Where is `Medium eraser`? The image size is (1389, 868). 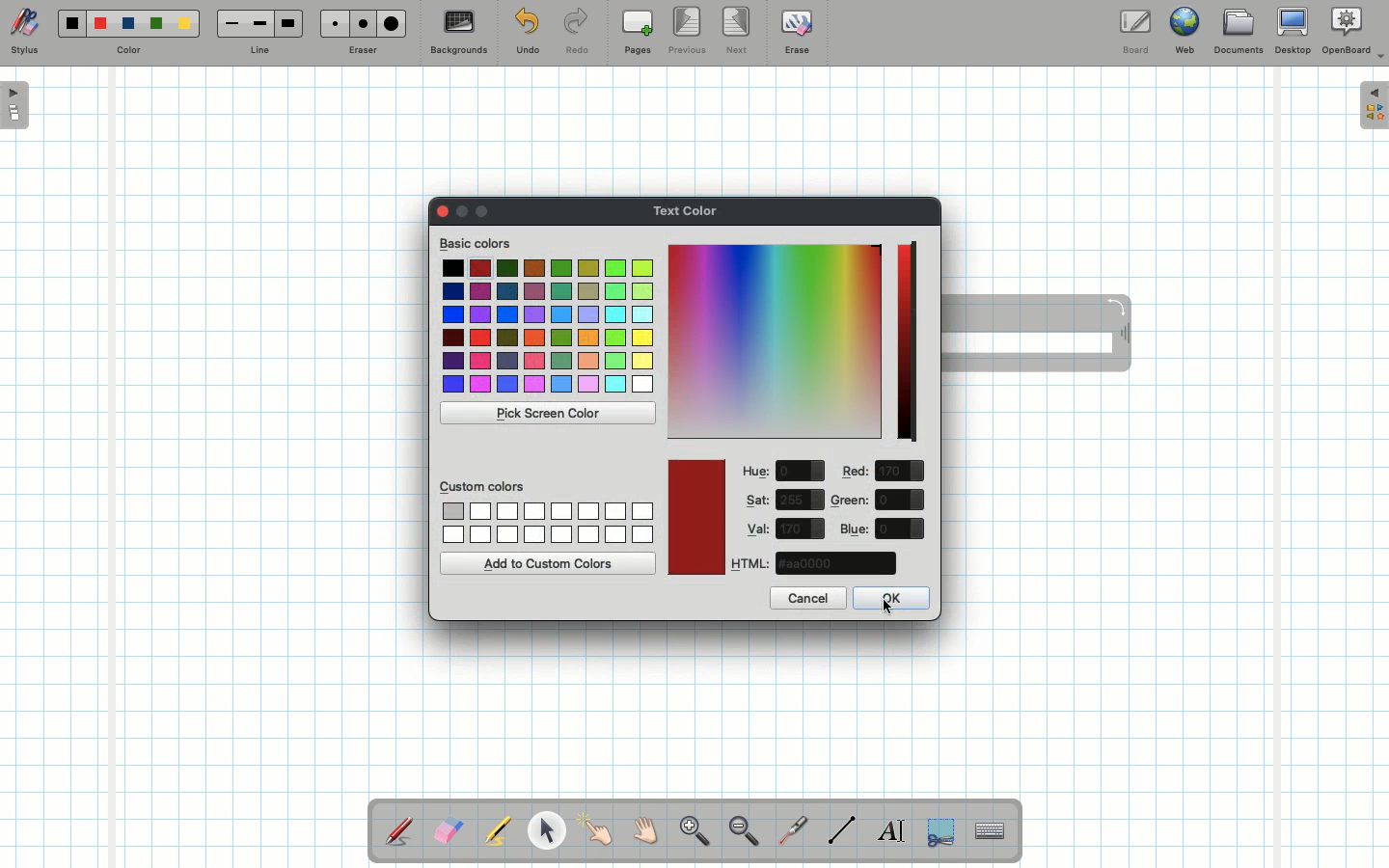
Medium eraser is located at coordinates (360, 23).